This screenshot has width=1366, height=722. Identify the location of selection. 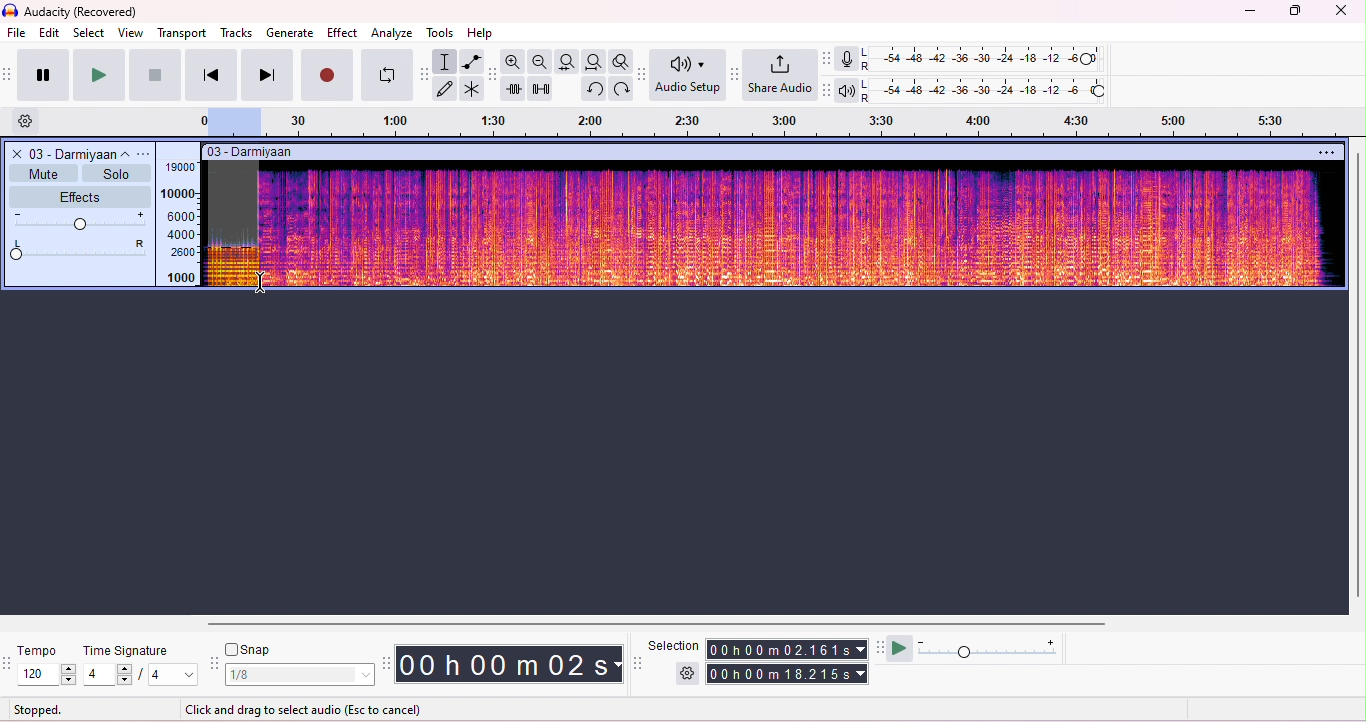
(675, 645).